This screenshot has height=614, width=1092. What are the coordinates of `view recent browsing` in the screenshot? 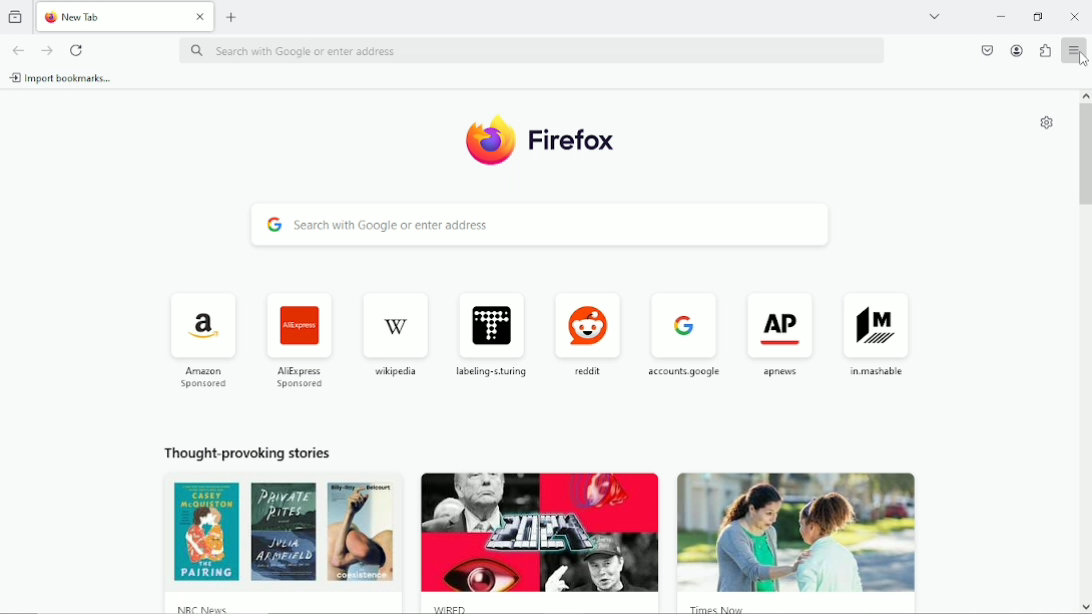 It's located at (15, 17).